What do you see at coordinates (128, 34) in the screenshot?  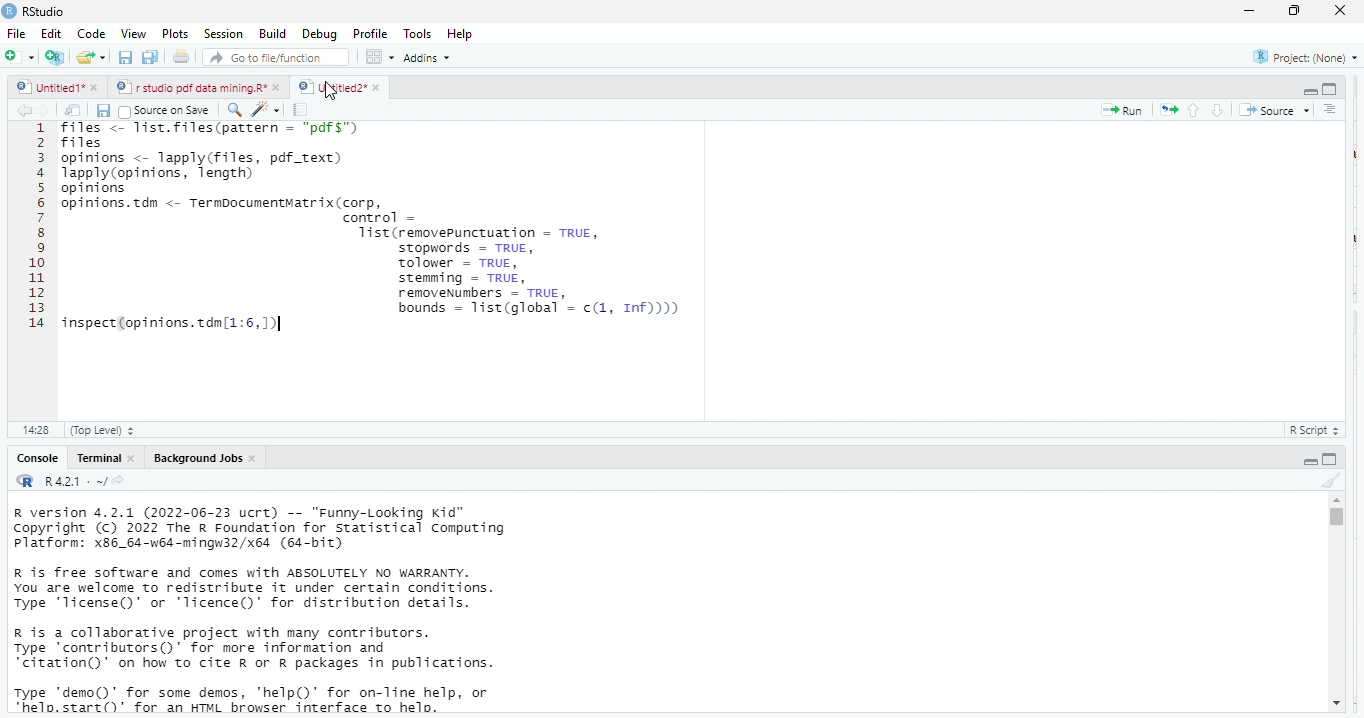 I see `view` at bounding box center [128, 34].